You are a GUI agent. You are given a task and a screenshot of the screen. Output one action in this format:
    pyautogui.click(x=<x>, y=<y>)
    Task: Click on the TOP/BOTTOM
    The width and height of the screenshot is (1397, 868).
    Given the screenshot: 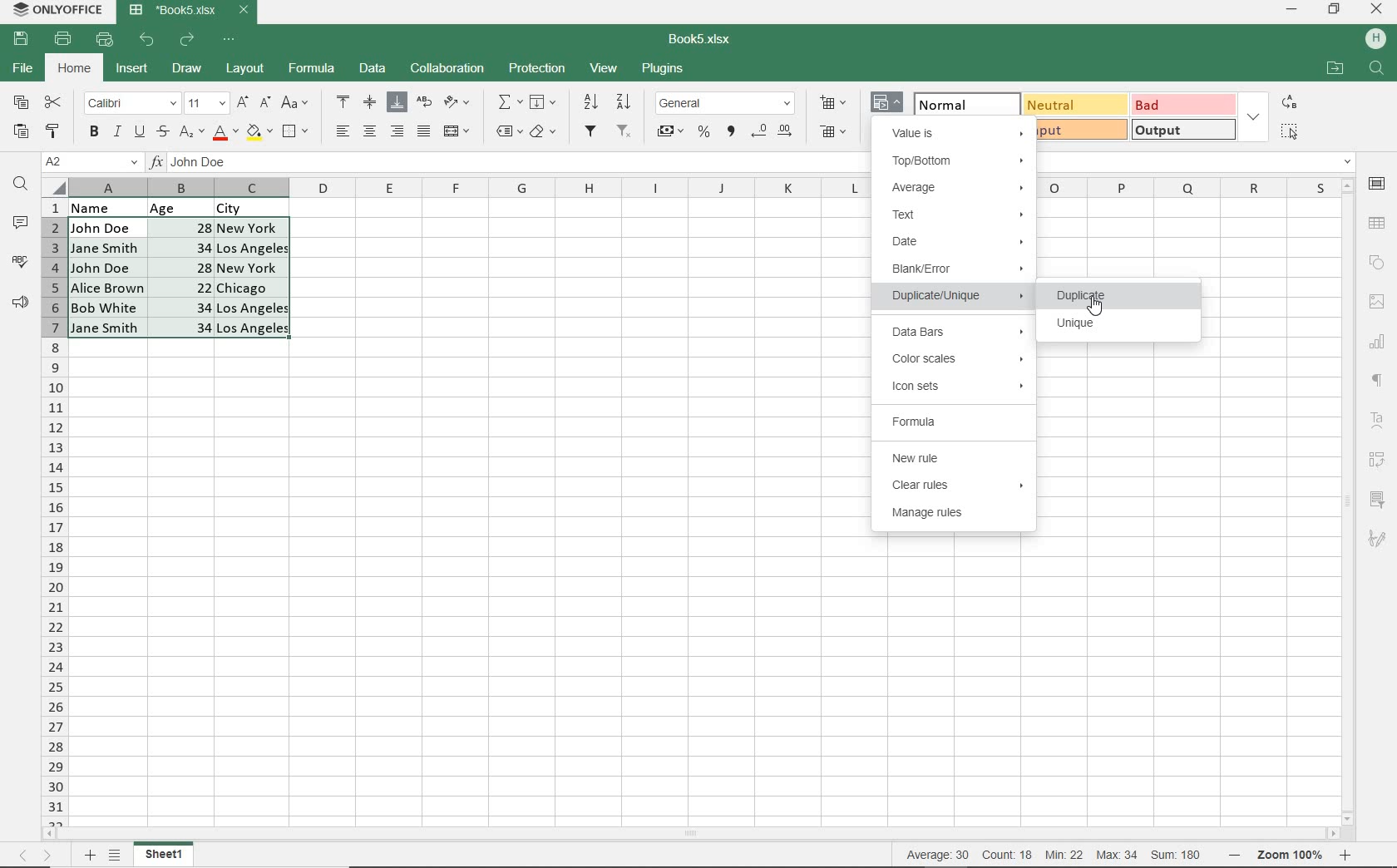 What is the action you would take?
    pyautogui.click(x=958, y=162)
    